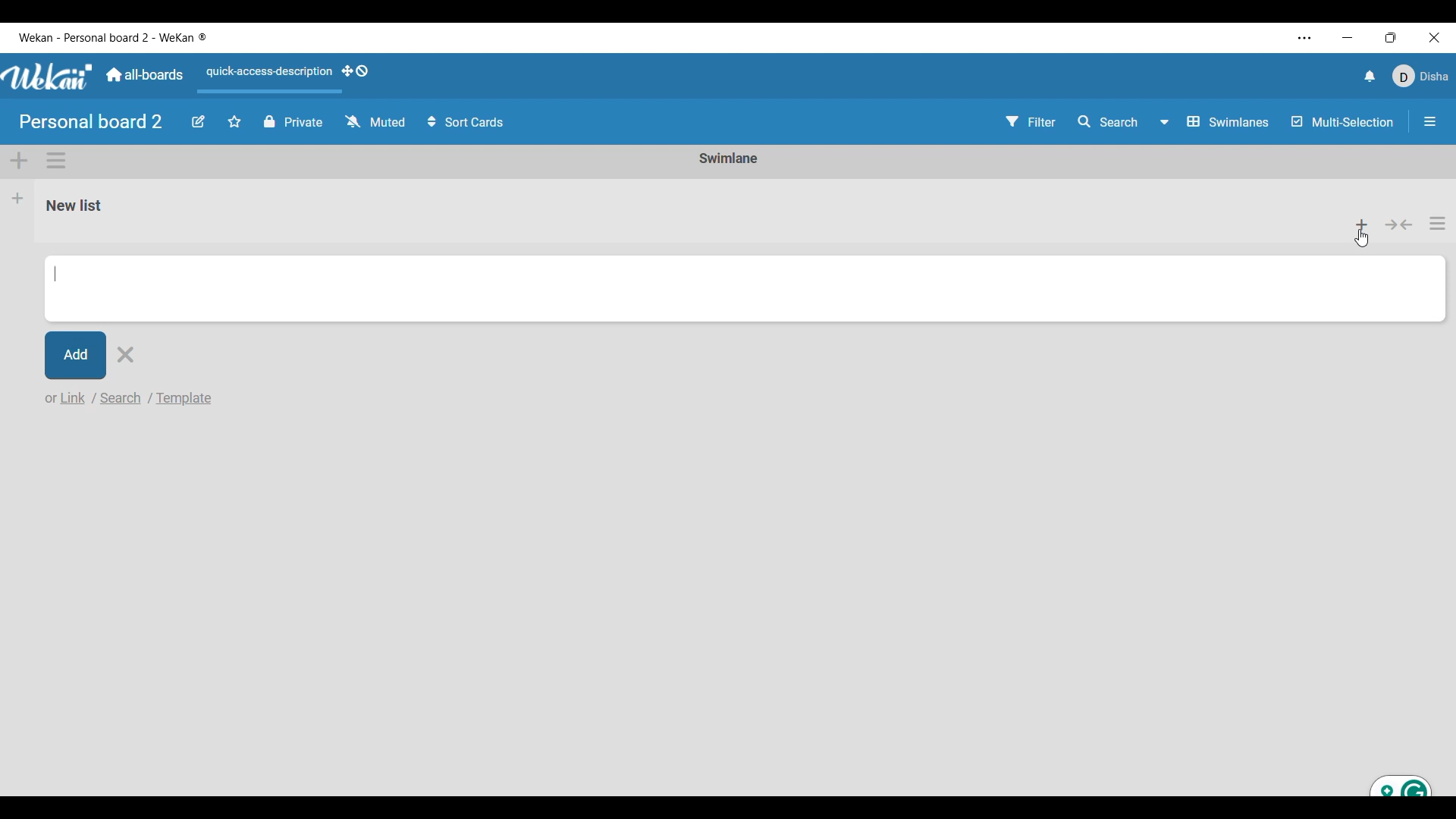 Image resolution: width=1456 pixels, height=819 pixels. Describe the element at coordinates (62, 397) in the screenshot. I see `Input link` at that location.